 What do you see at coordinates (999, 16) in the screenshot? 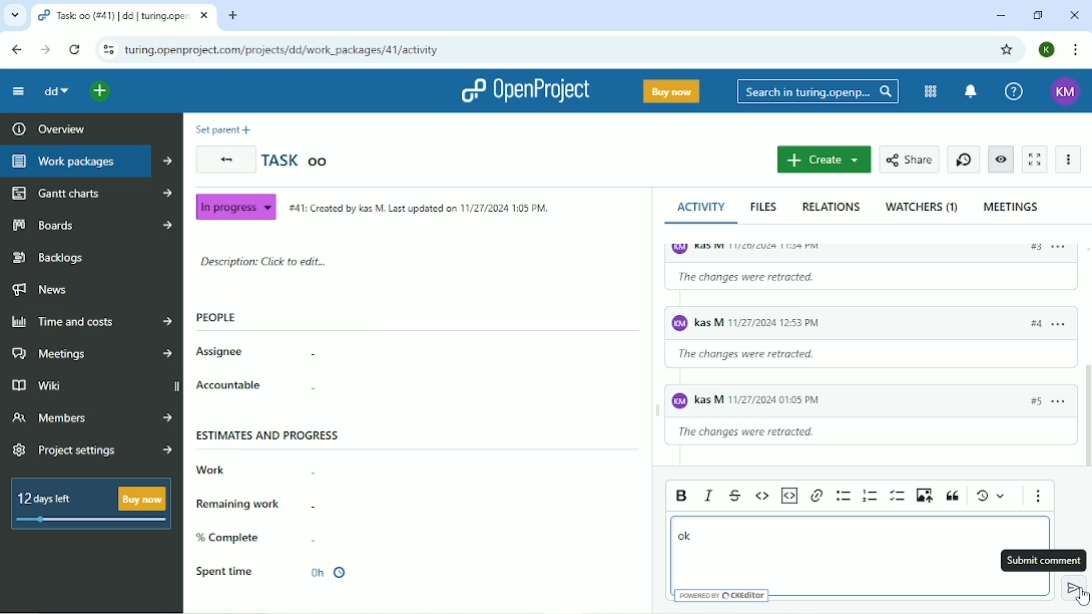
I see `Minimize` at bounding box center [999, 16].